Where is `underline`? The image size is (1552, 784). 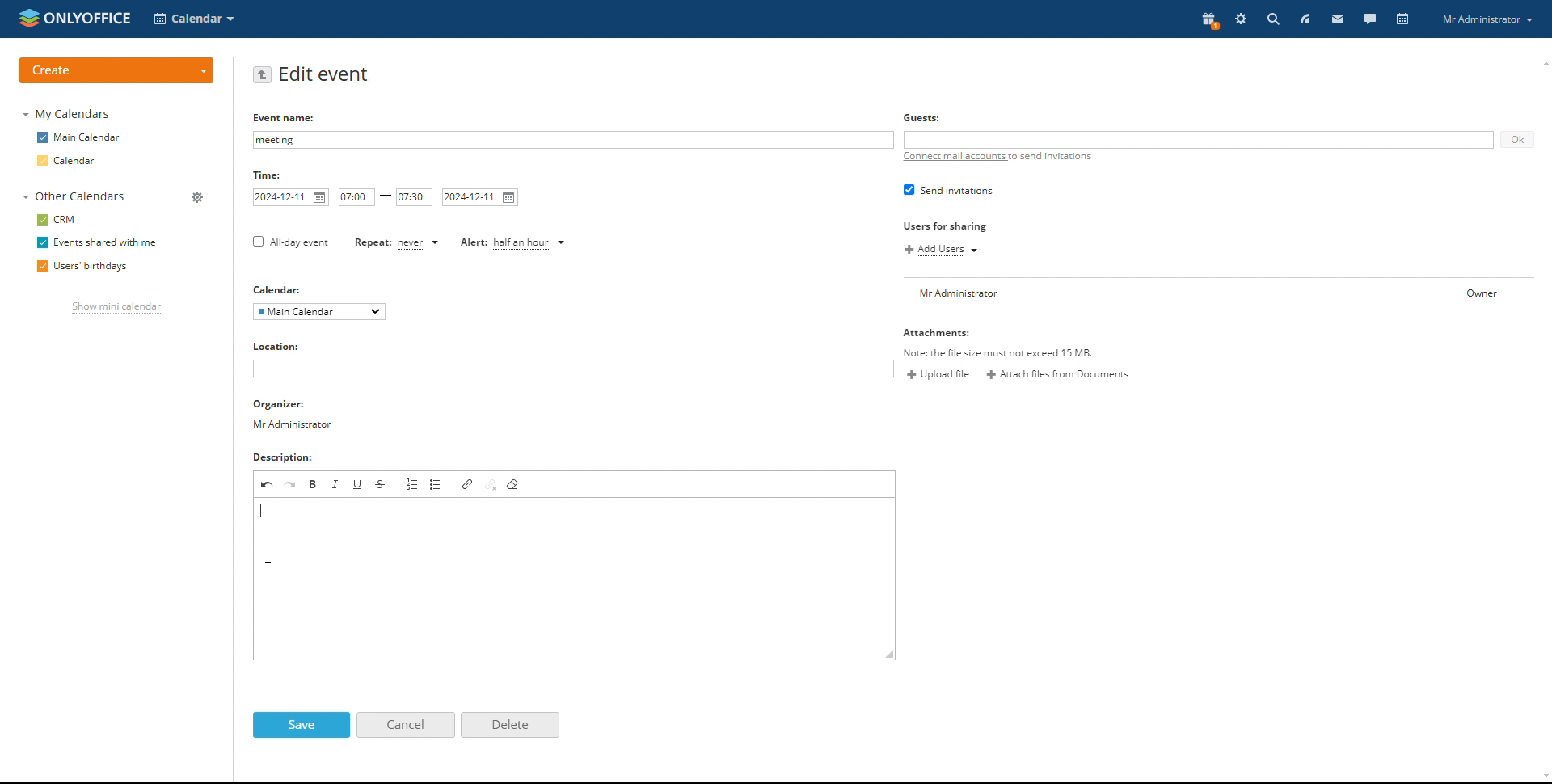
underline is located at coordinates (359, 484).